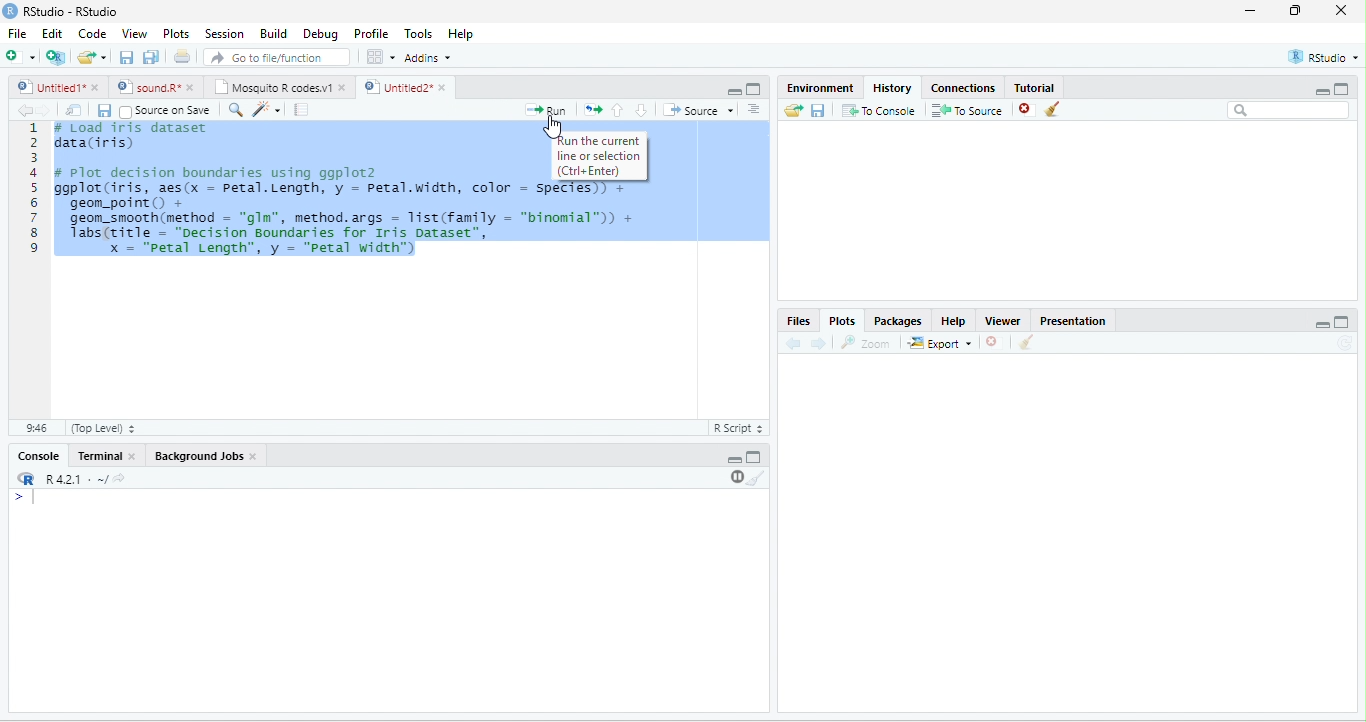 The height and width of the screenshot is (722, 1366). Describe the element at coordinates (275, 34) in the screenshot. I see `Build` at that location.